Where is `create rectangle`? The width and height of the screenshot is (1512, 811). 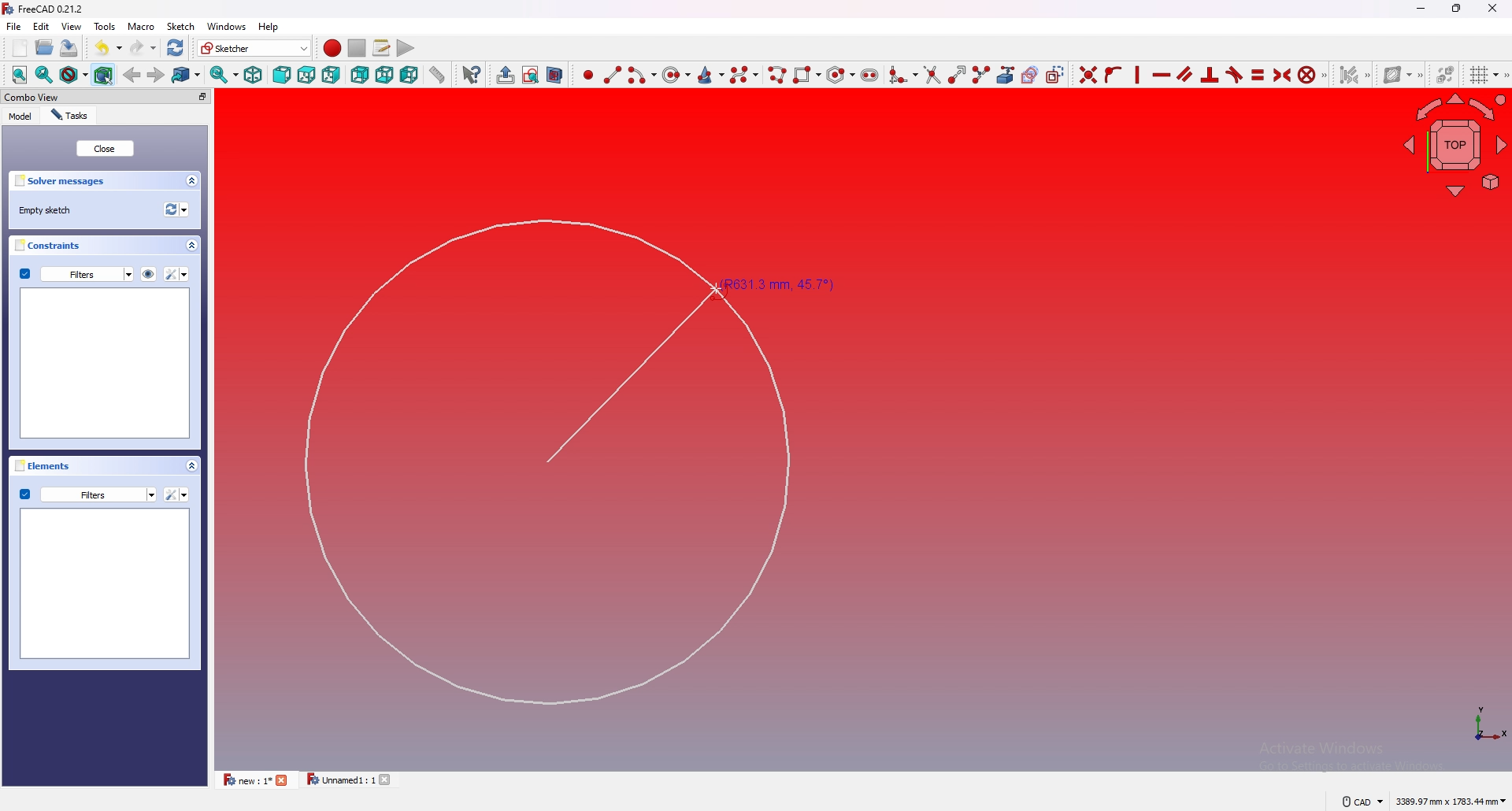 create rectangle is located at coordinates (805, 75).